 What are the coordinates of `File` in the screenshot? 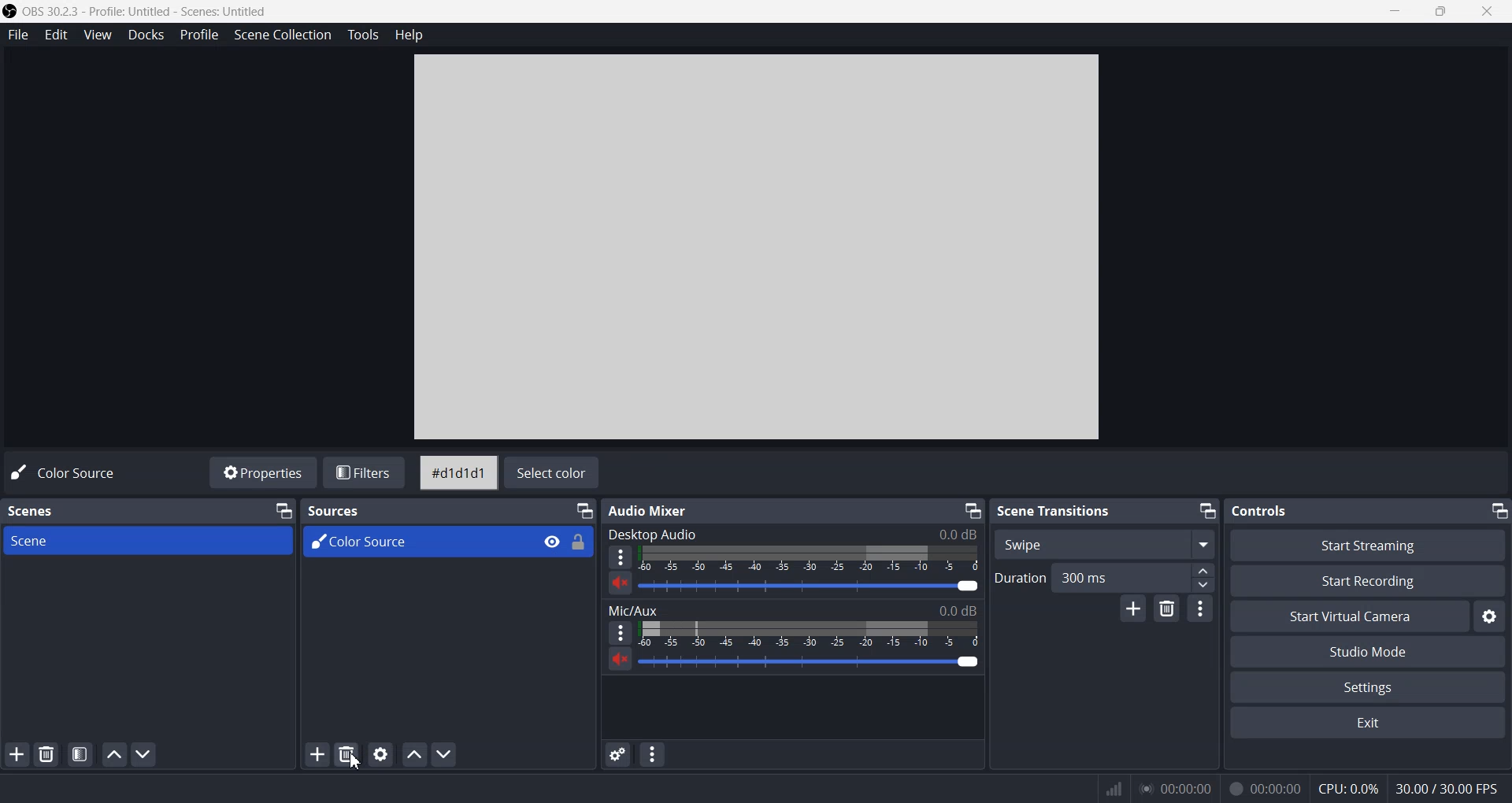 It's located at (17, 35).